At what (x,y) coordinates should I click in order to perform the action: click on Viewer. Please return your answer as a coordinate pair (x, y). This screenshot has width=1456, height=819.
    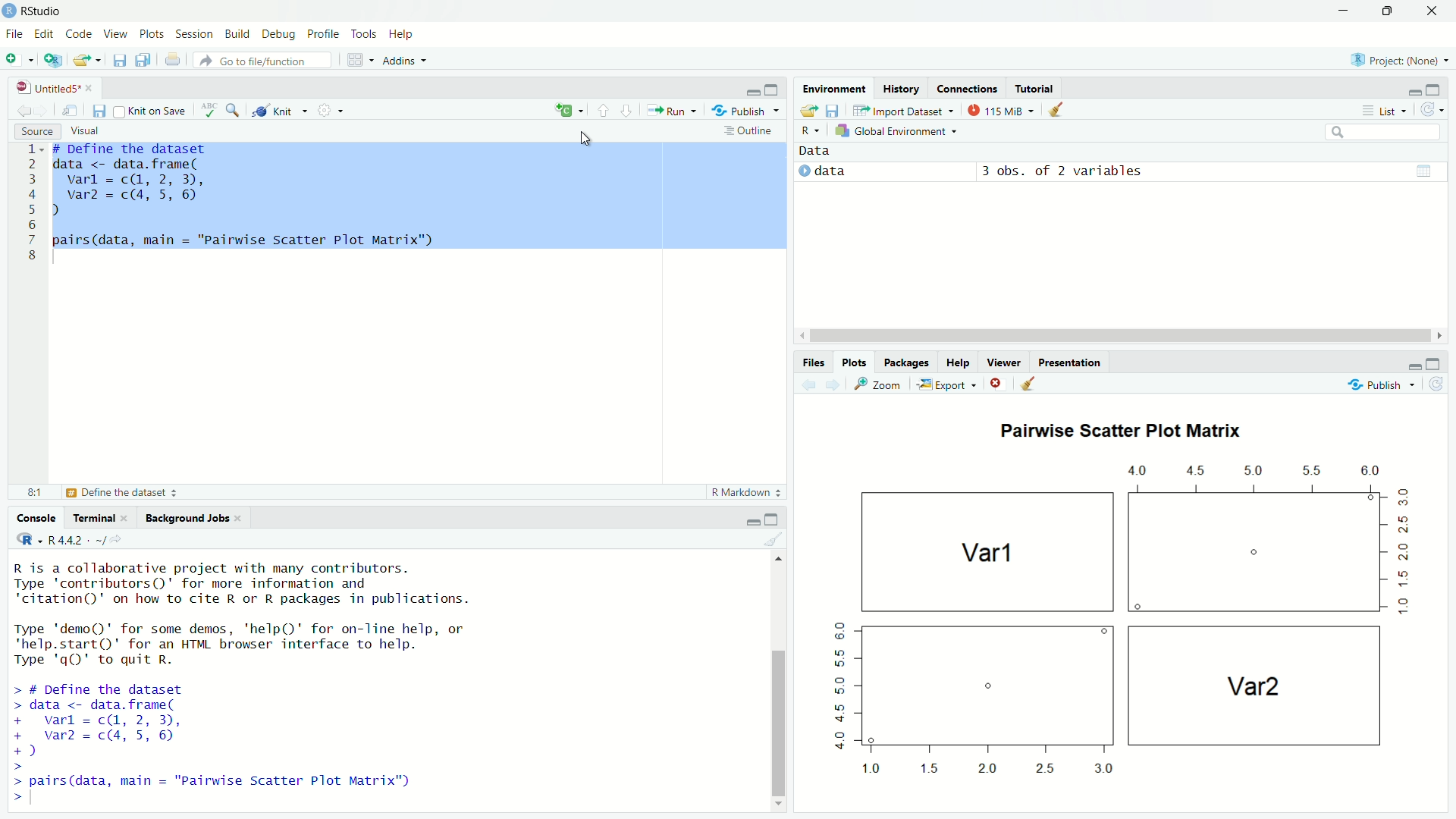
    Looking at the image, I should click on (1003, 362).